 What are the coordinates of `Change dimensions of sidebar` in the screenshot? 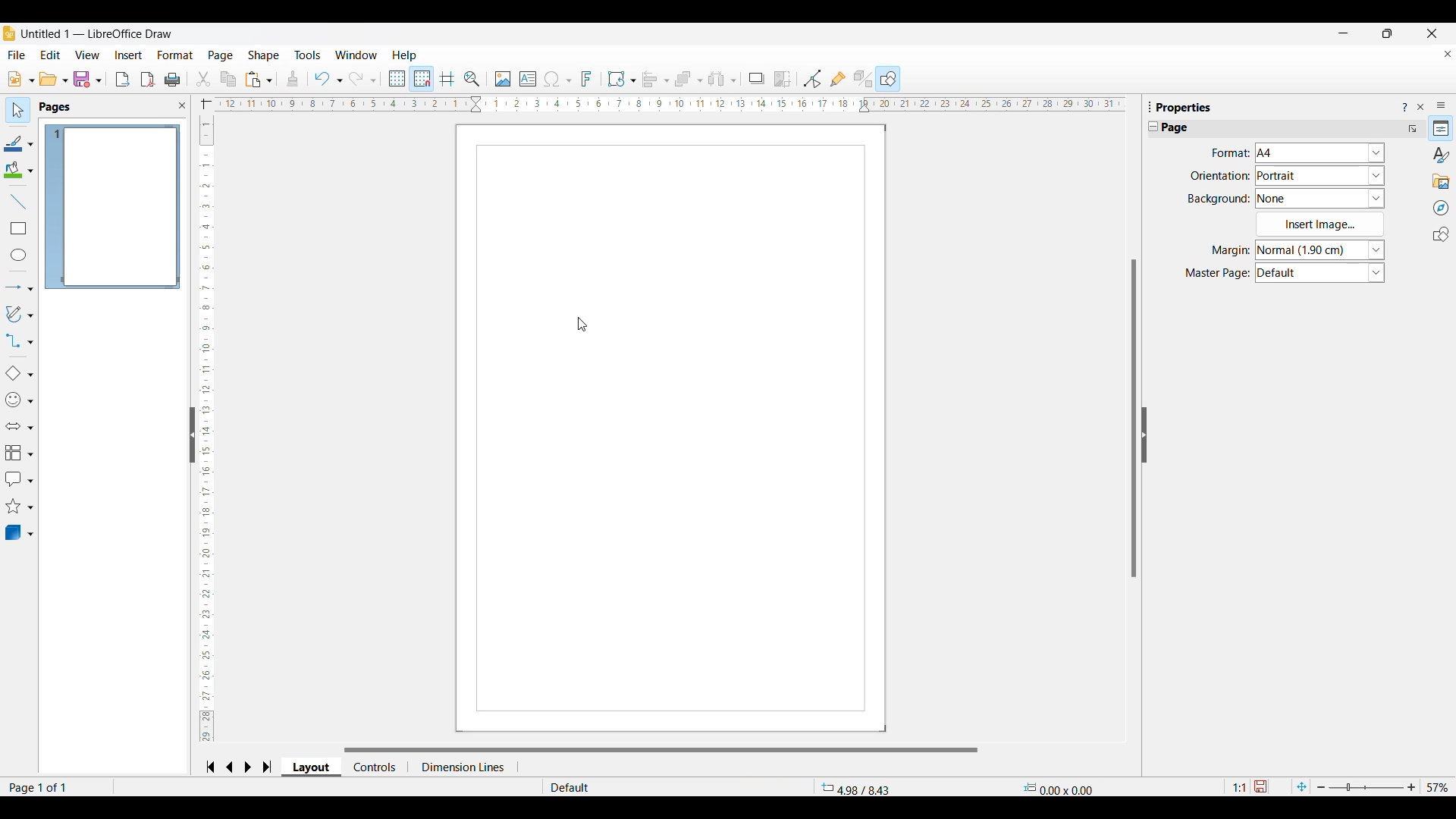 It's located at (1150, 106).